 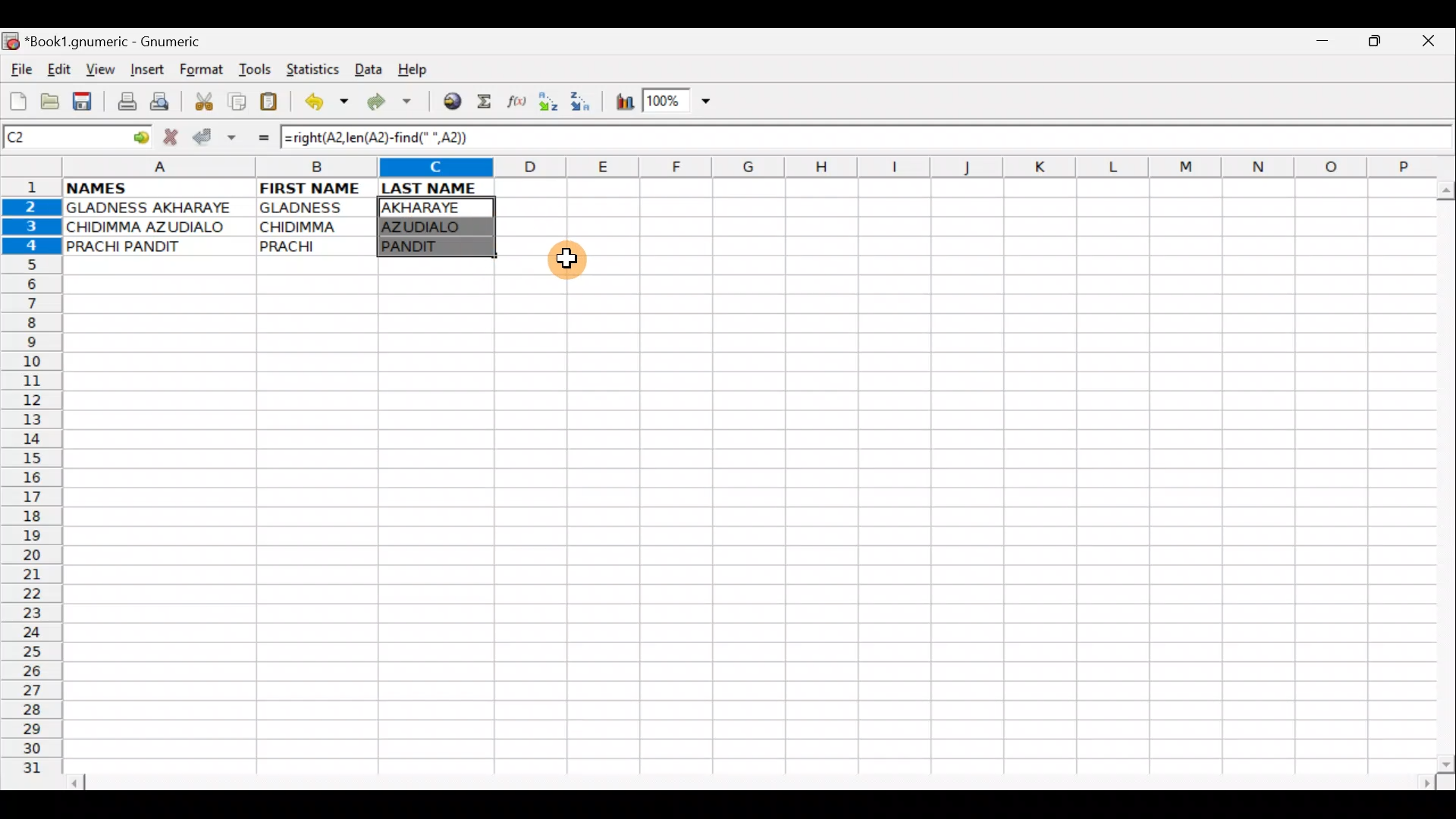 What do you see at coordinates (274, 104) in the screenshot?
I see `Paste clipboard` at bounding box center [274, 104].